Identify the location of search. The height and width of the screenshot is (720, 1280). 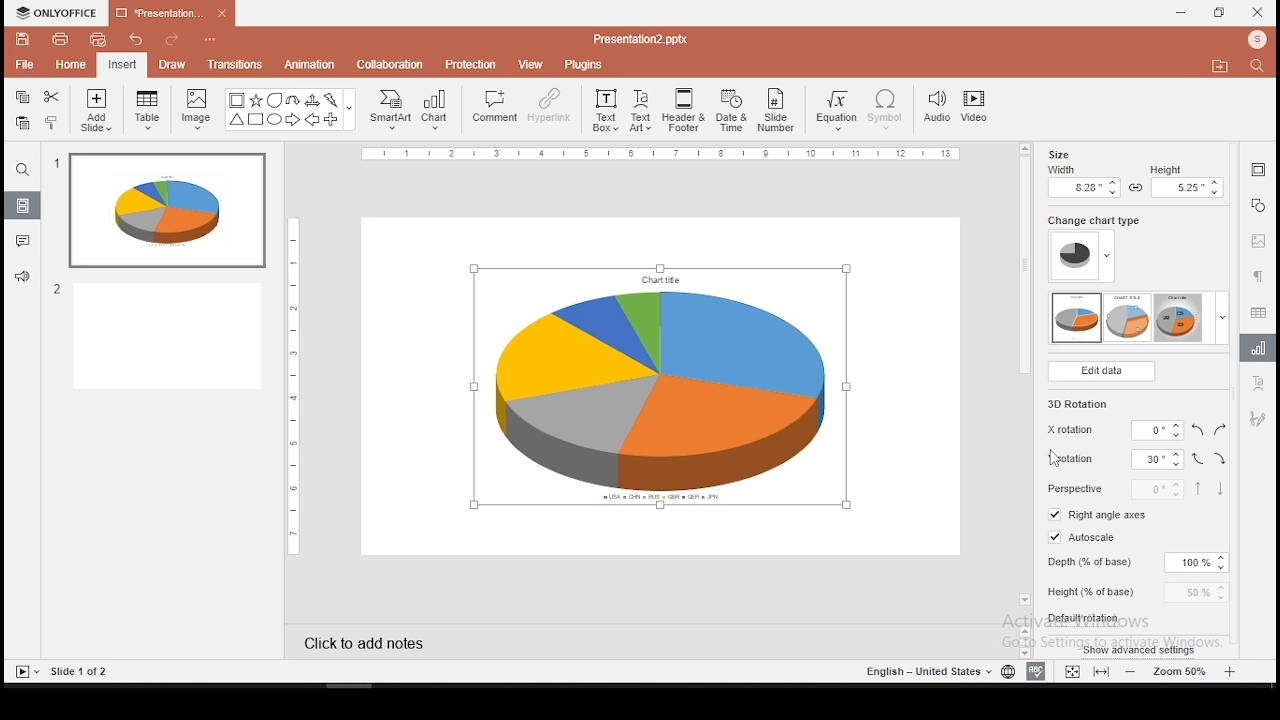
(1260, 67).